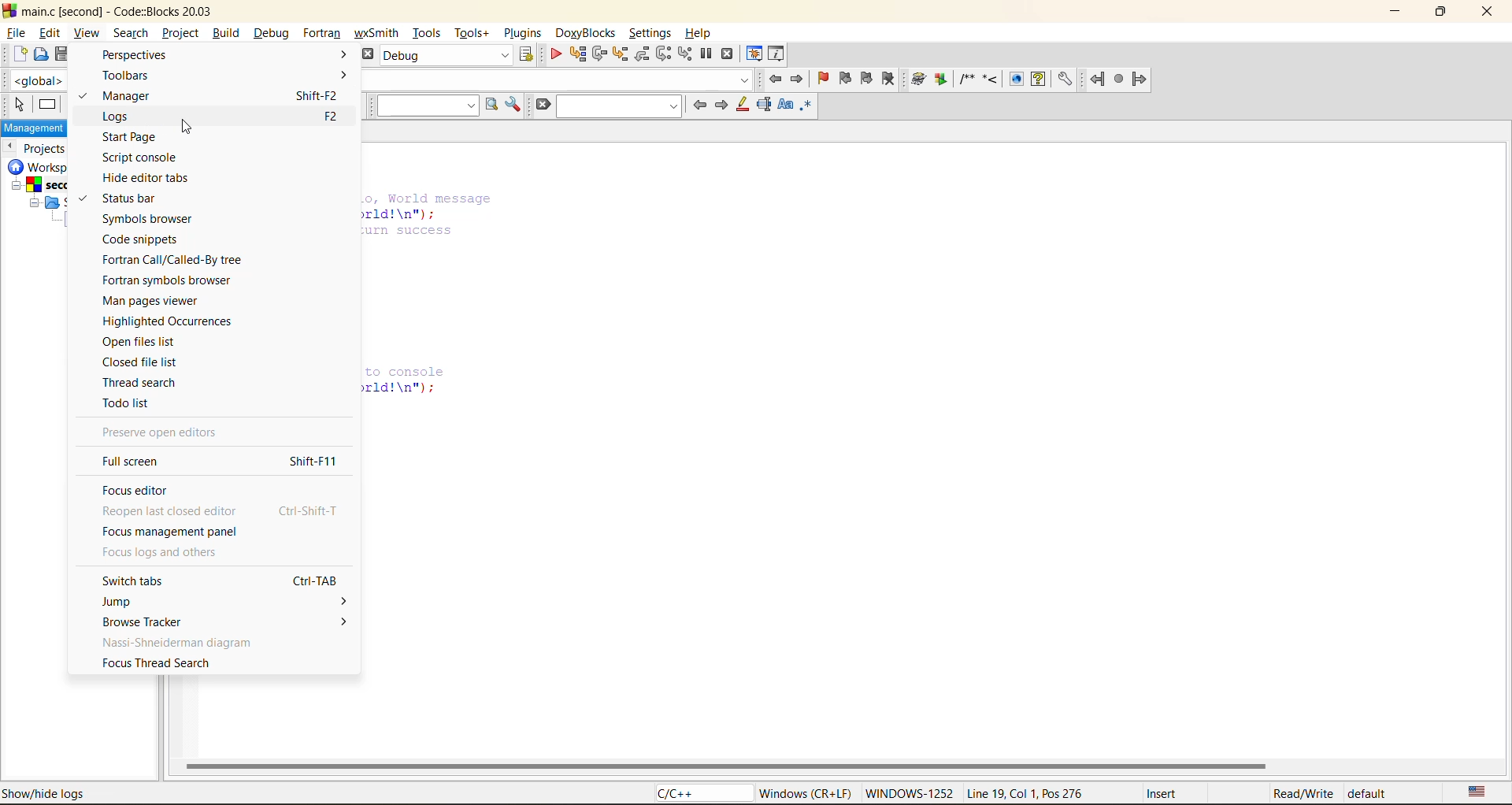 Image resolution: width=1512 pixels, height=805 pixels. Describe the element at coordinates (618, 54) in the screenshot. I see `step into` at that location.